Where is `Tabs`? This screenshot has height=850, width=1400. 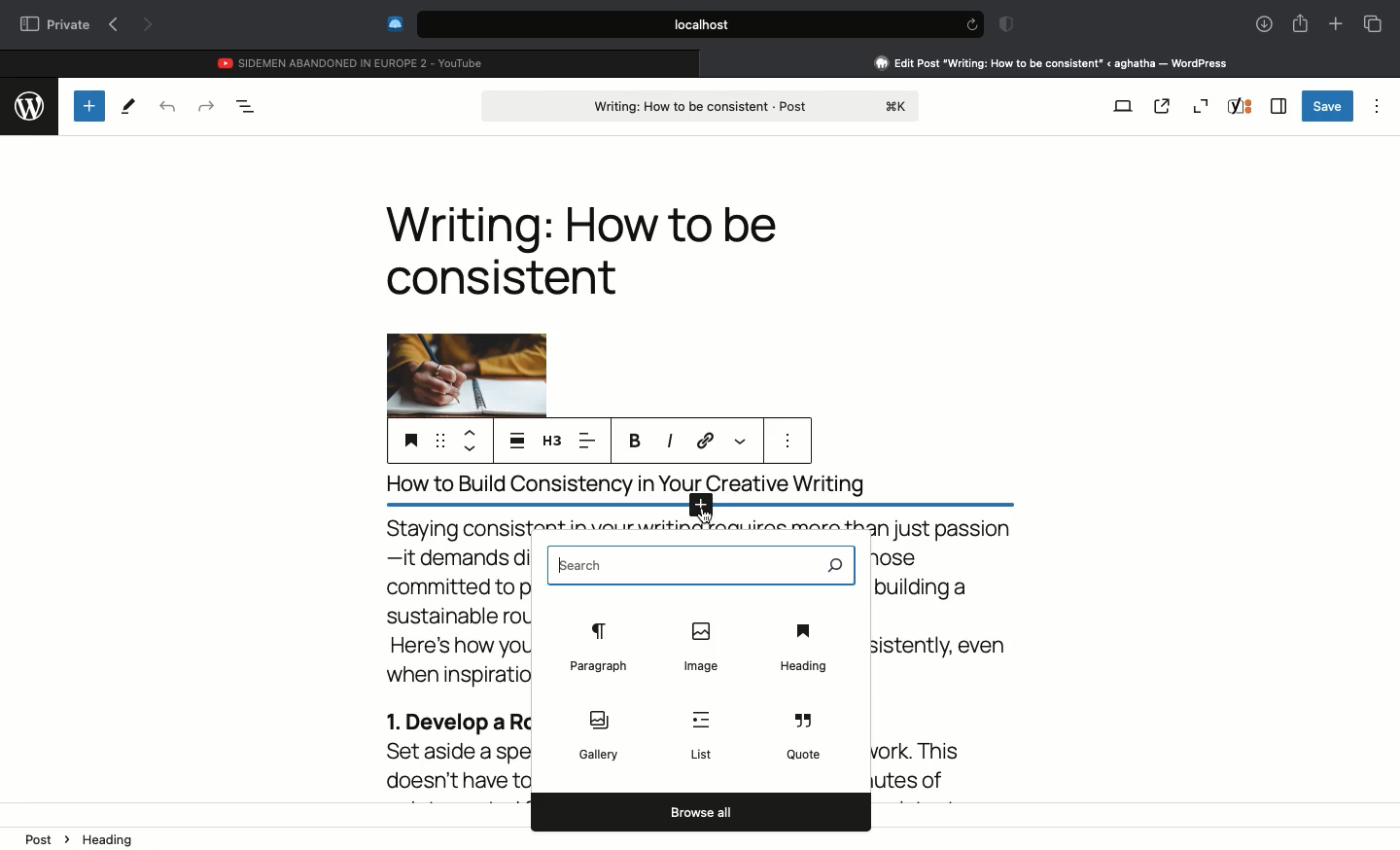 Tabs is located at coordinates (1373, 23).